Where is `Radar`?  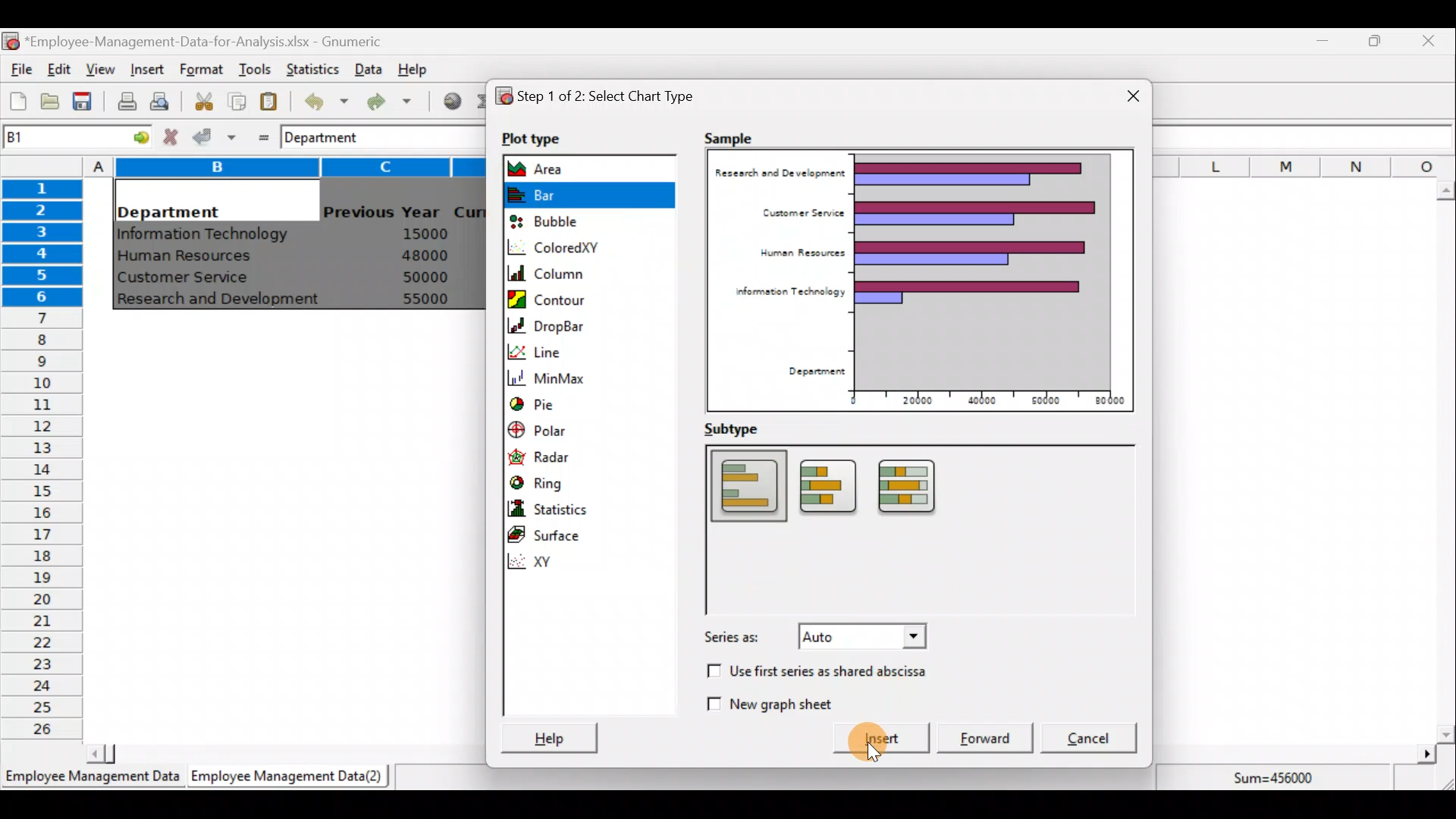
Radar is located at coordinates (570, 455).